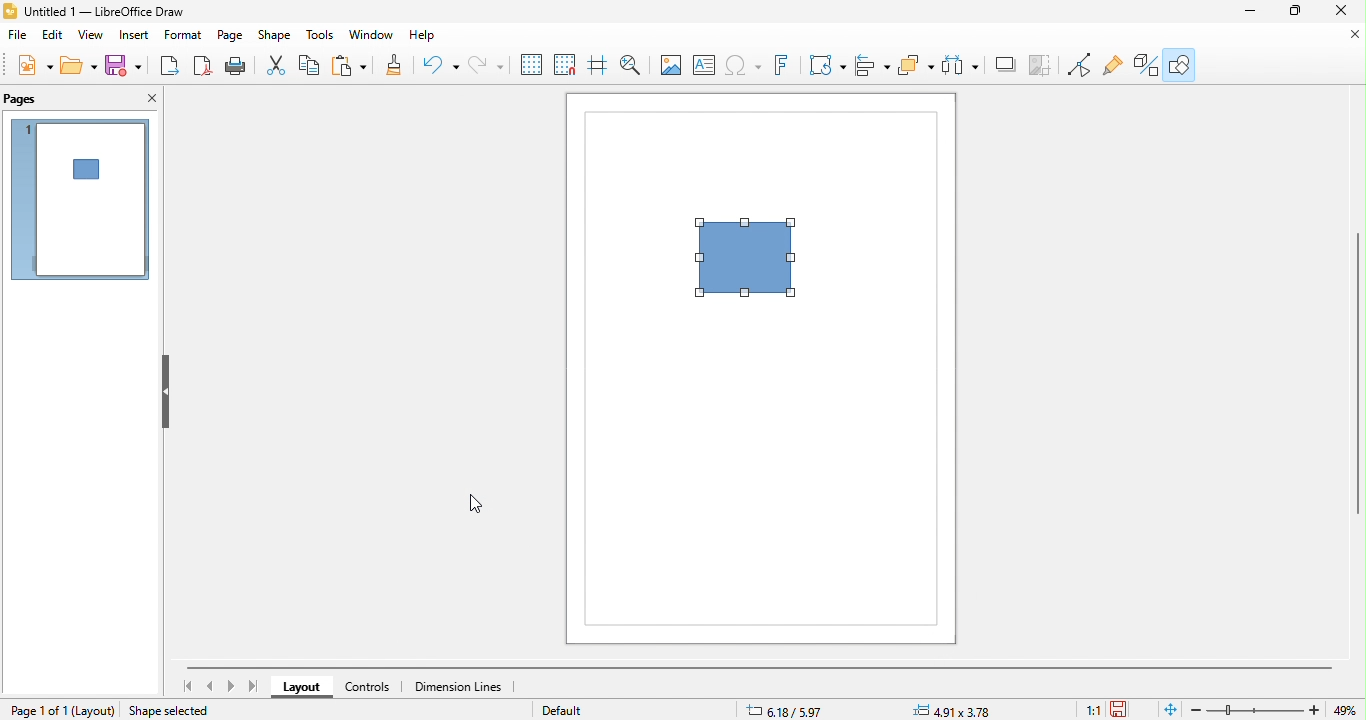 This screenshot has width=1366, height=720. I want to click on show gluepoint function, so click(1111, 66).